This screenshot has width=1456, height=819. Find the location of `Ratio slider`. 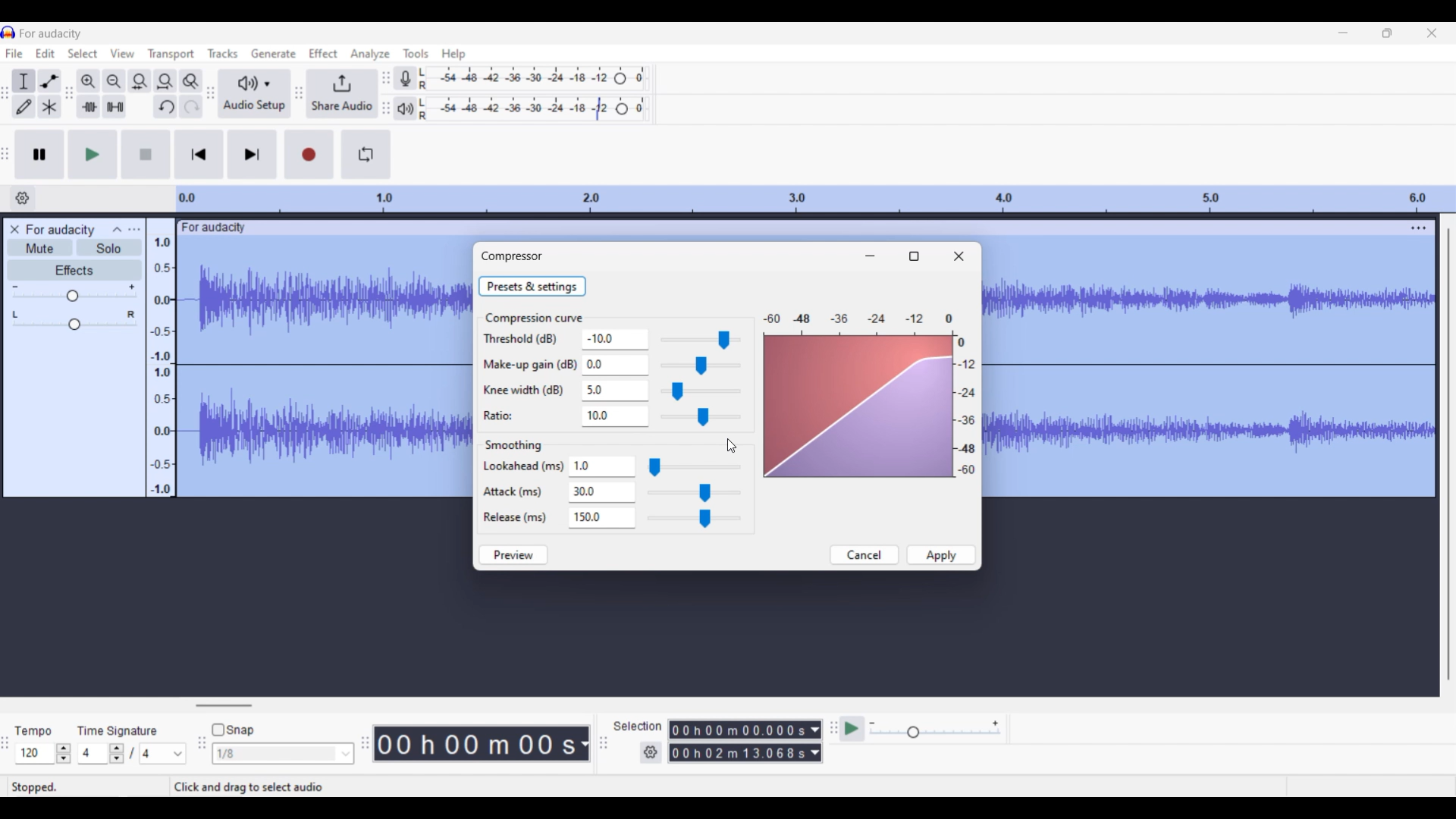

Ratio slider is located at coordinates (701, 417).